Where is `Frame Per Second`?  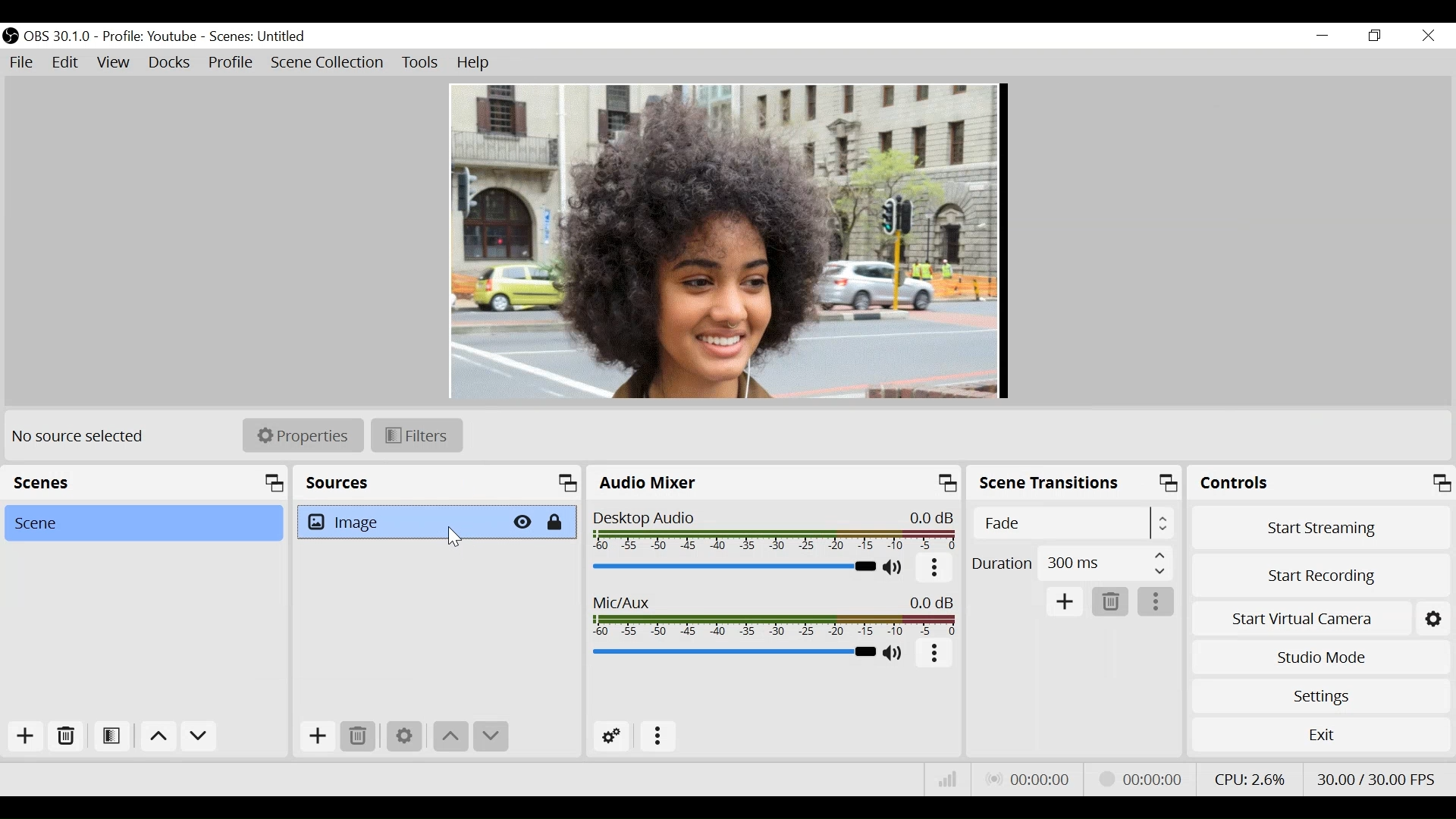 Frame Per Second is located at coordinates (1376, 780).